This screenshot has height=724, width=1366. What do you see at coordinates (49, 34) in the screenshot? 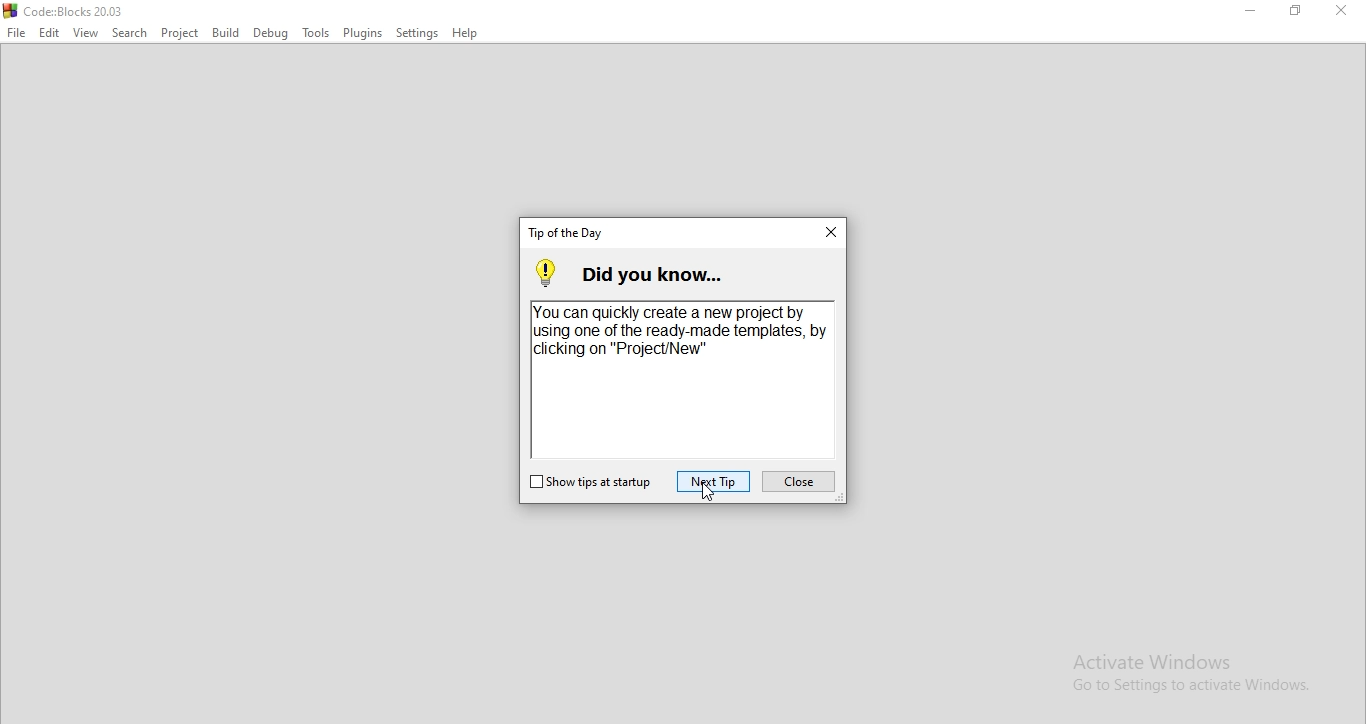
I see `Edit ` at bounding box center [49, 34].